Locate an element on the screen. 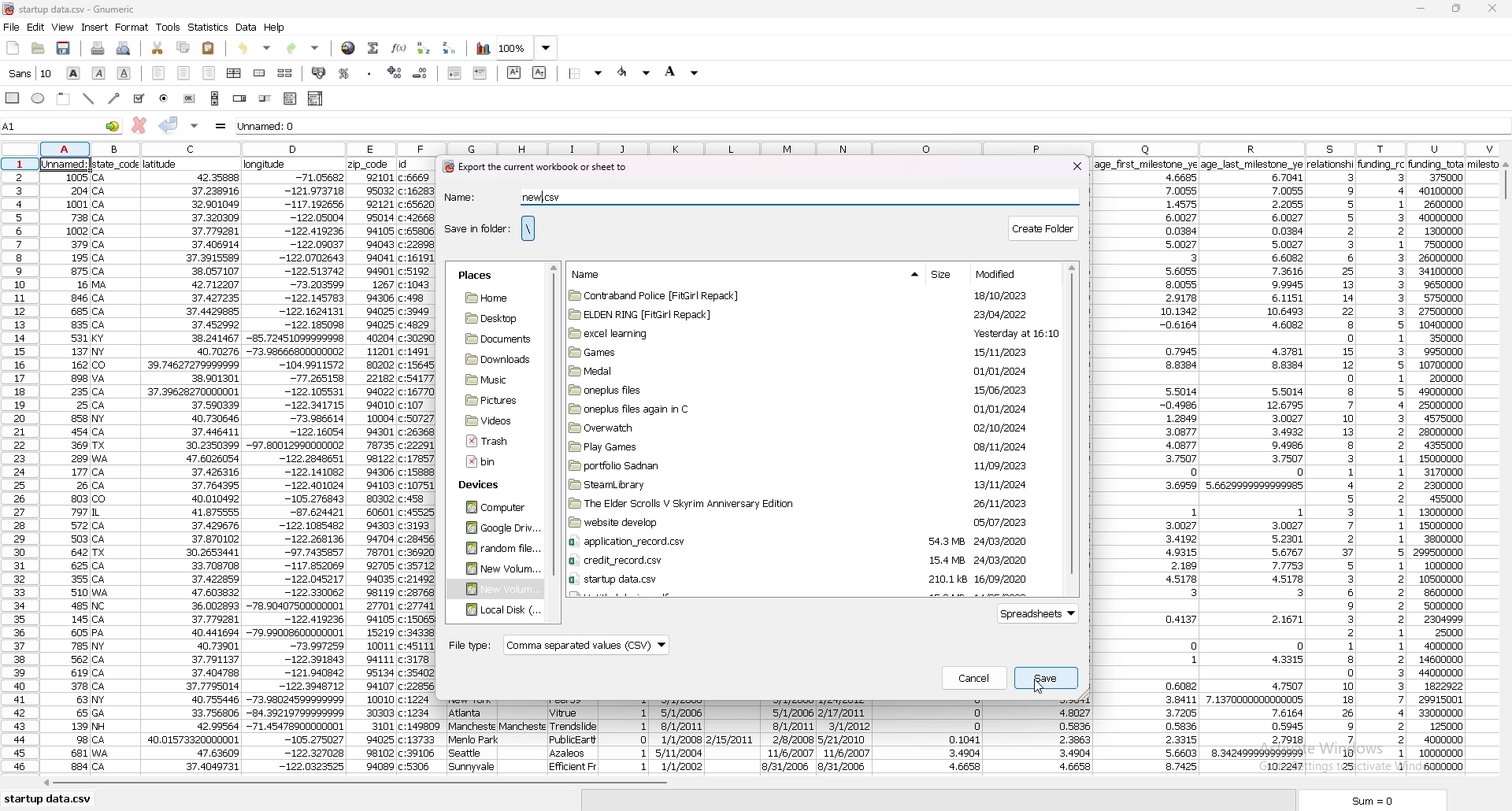 The width and height of the screenshot is (1512, 811). folder is located at coordinates (805, 390).